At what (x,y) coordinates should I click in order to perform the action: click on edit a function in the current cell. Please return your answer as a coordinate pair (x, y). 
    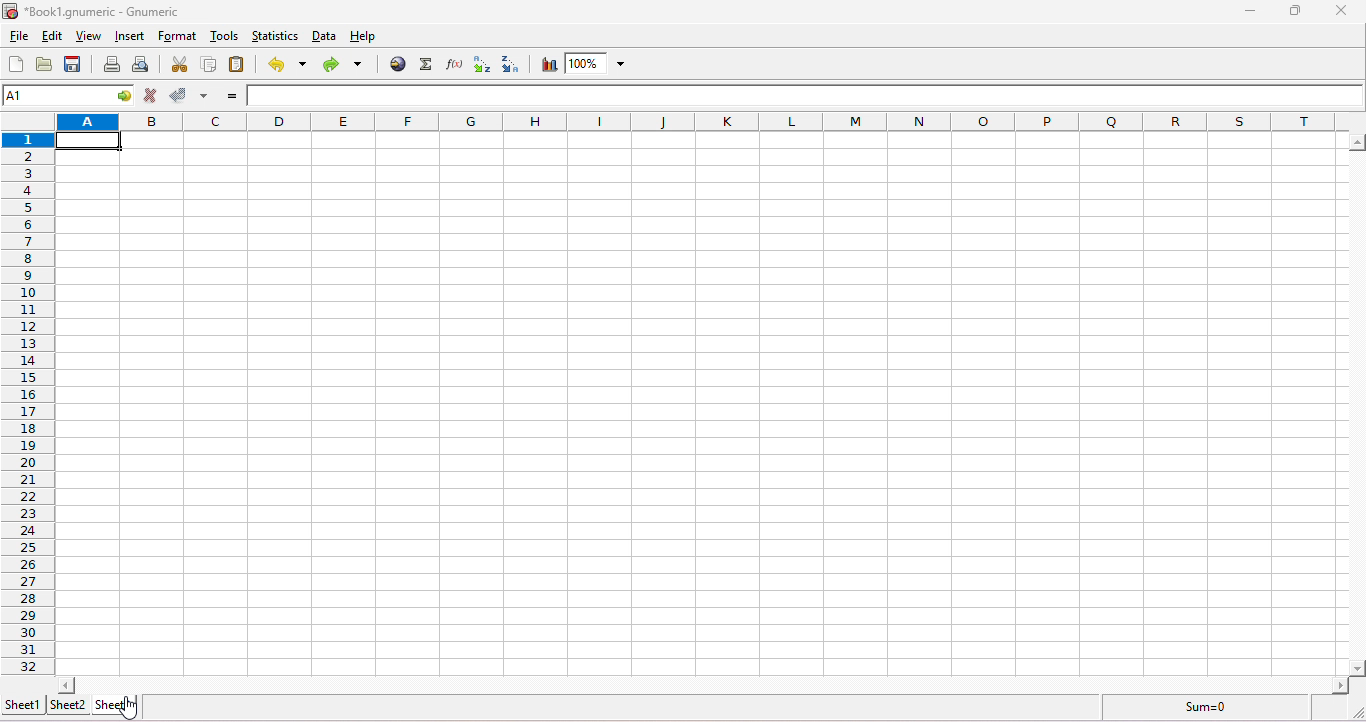
    Looking at the image, I should click on (453, 63).